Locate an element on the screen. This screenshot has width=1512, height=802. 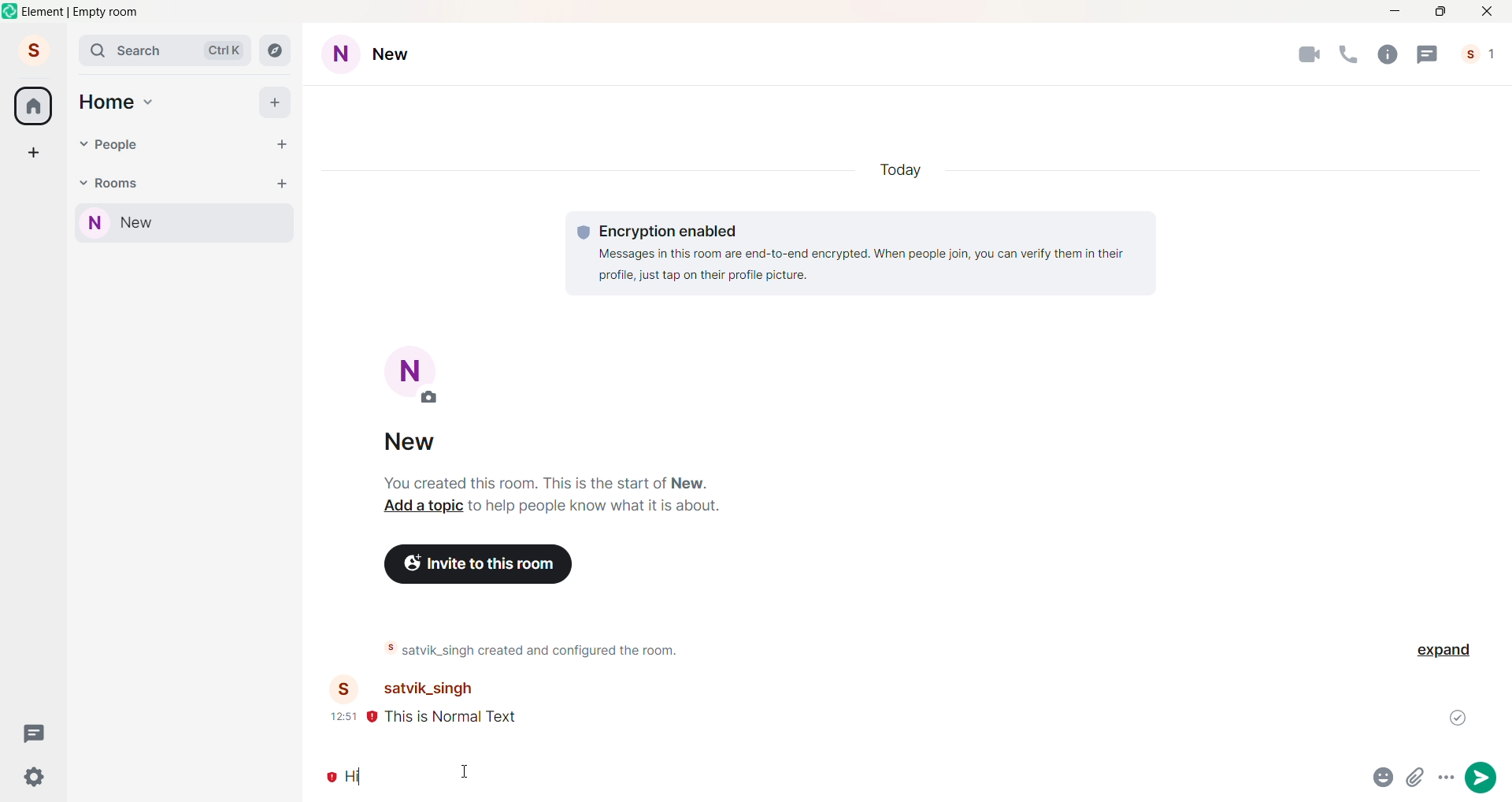
Video Call is located at coordinates (1309, 56).